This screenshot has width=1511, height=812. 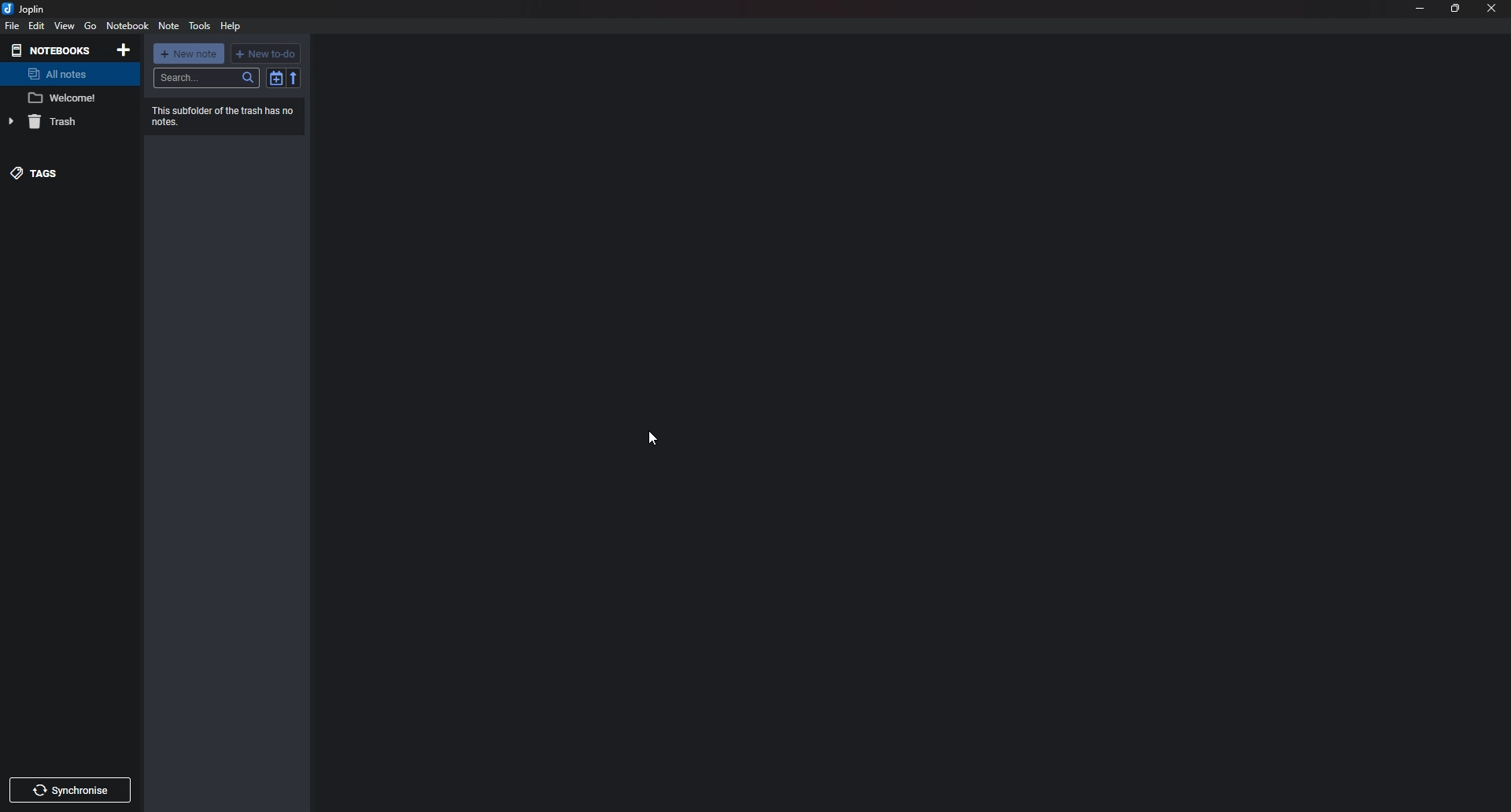 What do you see at coordinates (13, 25) in the screenshot?
I see `file` at bounding box center [13, 25].